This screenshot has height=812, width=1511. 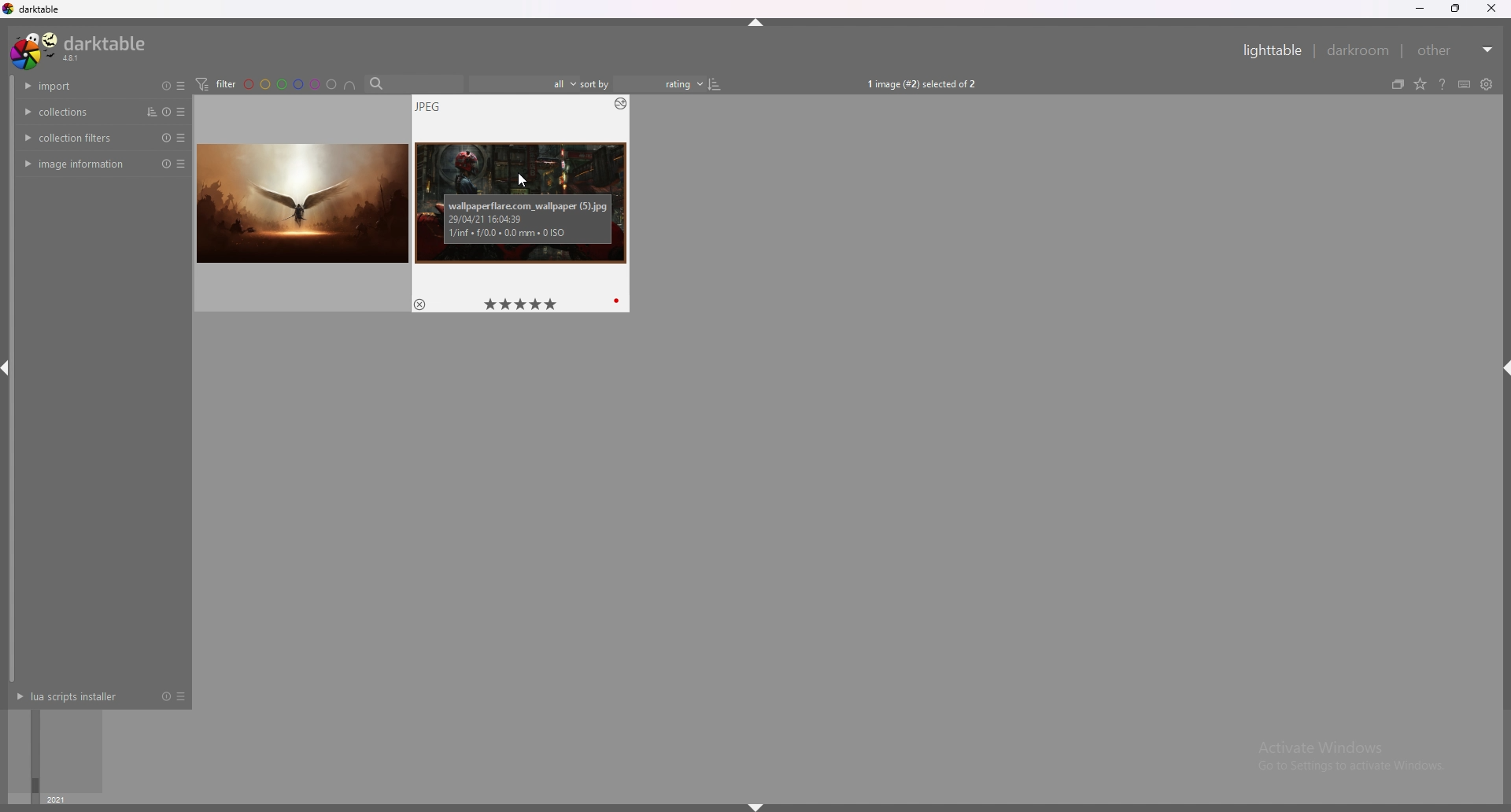 What do you see at coordinates (619, 104) in the screenshot?
I see `options` at bounding box center [619, 104].